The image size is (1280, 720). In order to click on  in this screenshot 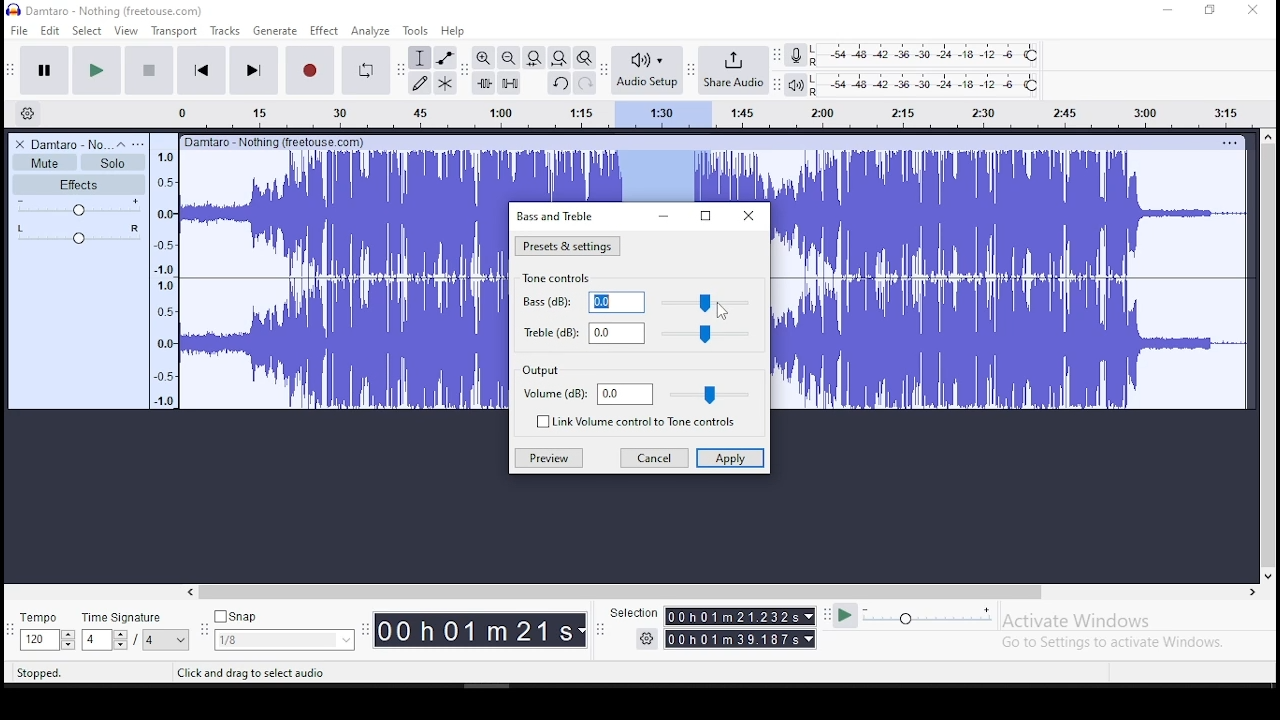, I will do `click(776, 83)`.